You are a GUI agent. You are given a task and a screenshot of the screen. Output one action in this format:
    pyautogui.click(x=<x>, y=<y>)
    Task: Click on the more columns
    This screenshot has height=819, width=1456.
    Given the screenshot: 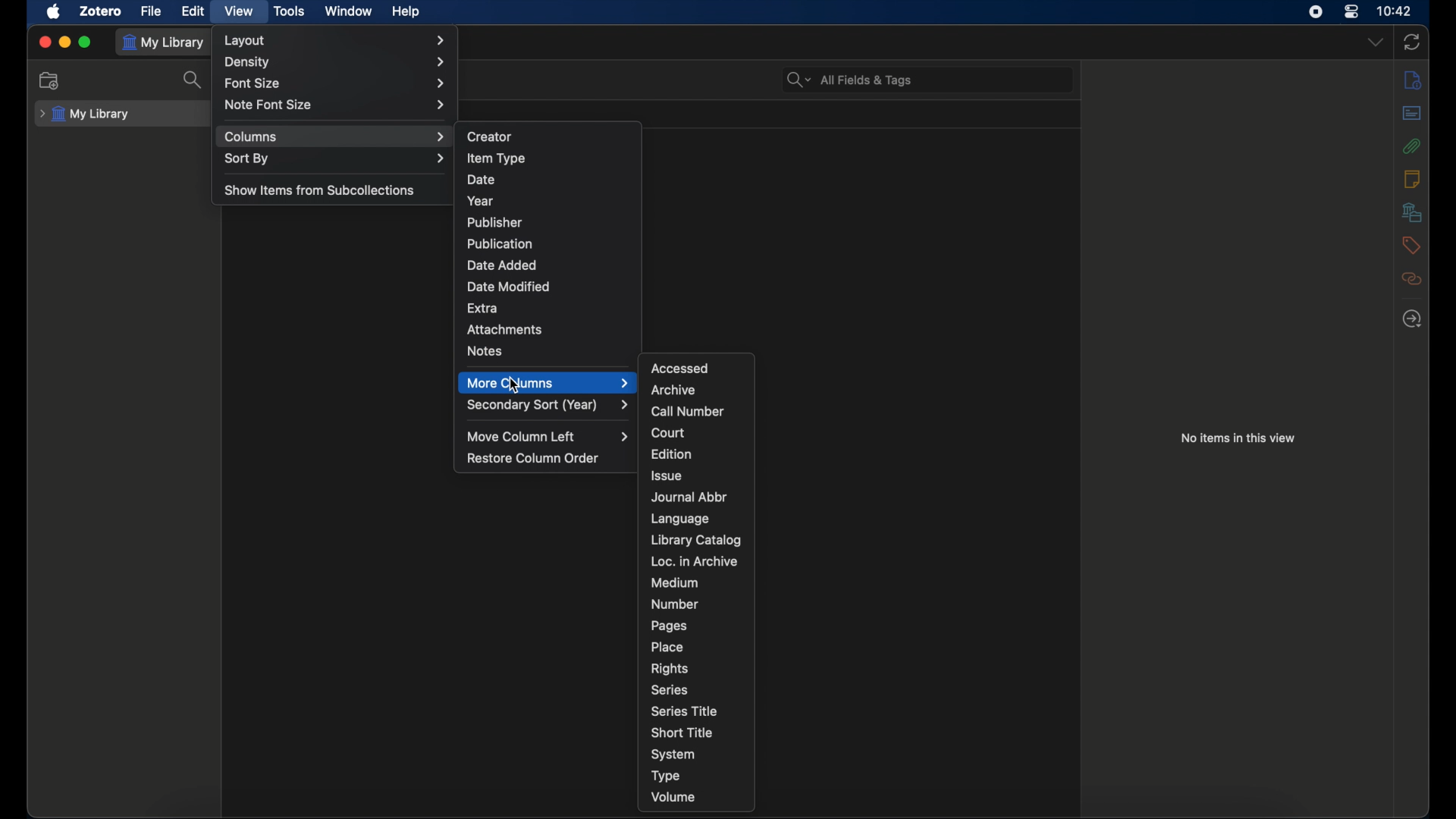 What is the action you would take?
    pyautogui.click(x=548, y=383)
    